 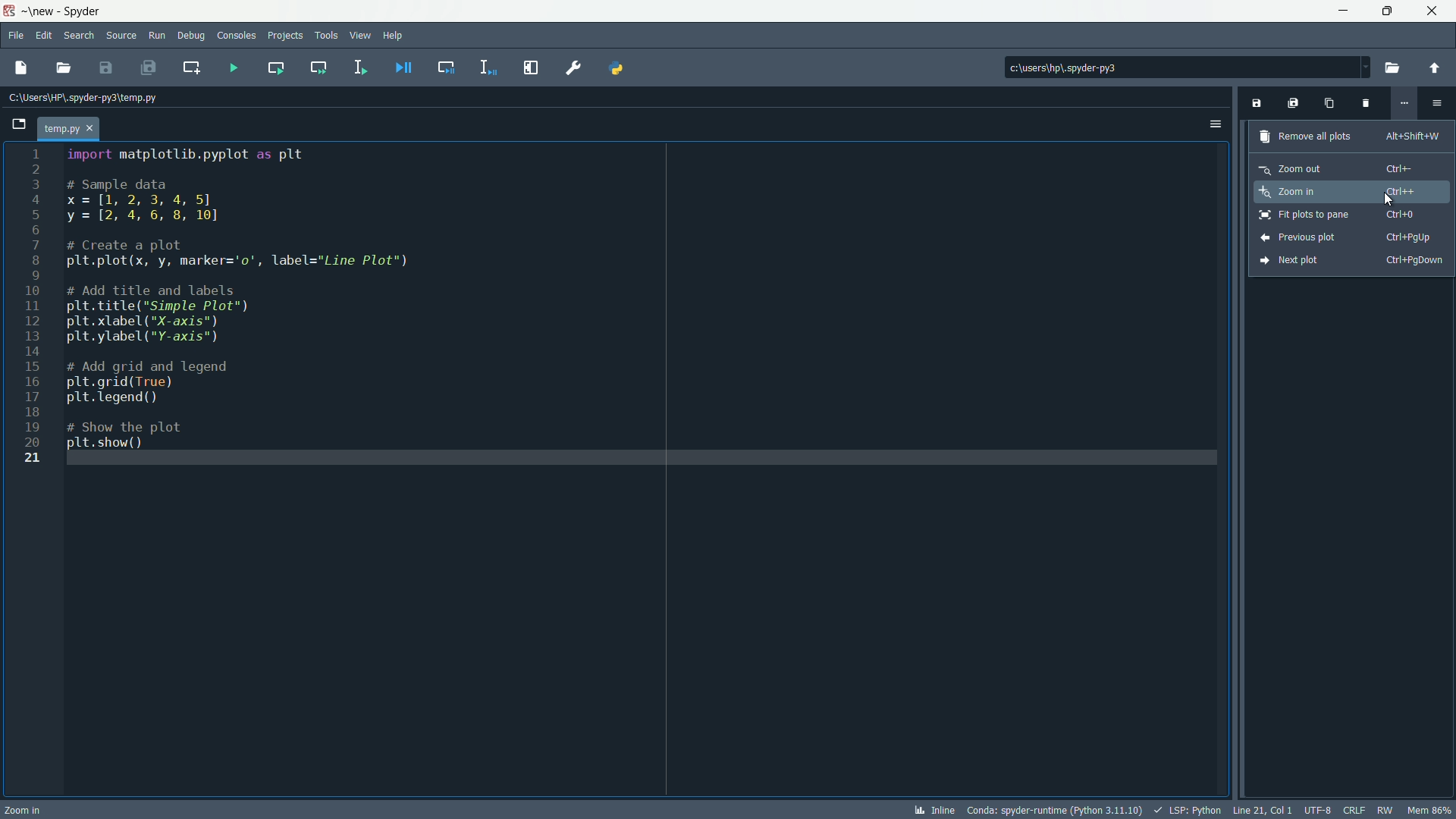 I want to click on options, so click(x=1437, y=102).